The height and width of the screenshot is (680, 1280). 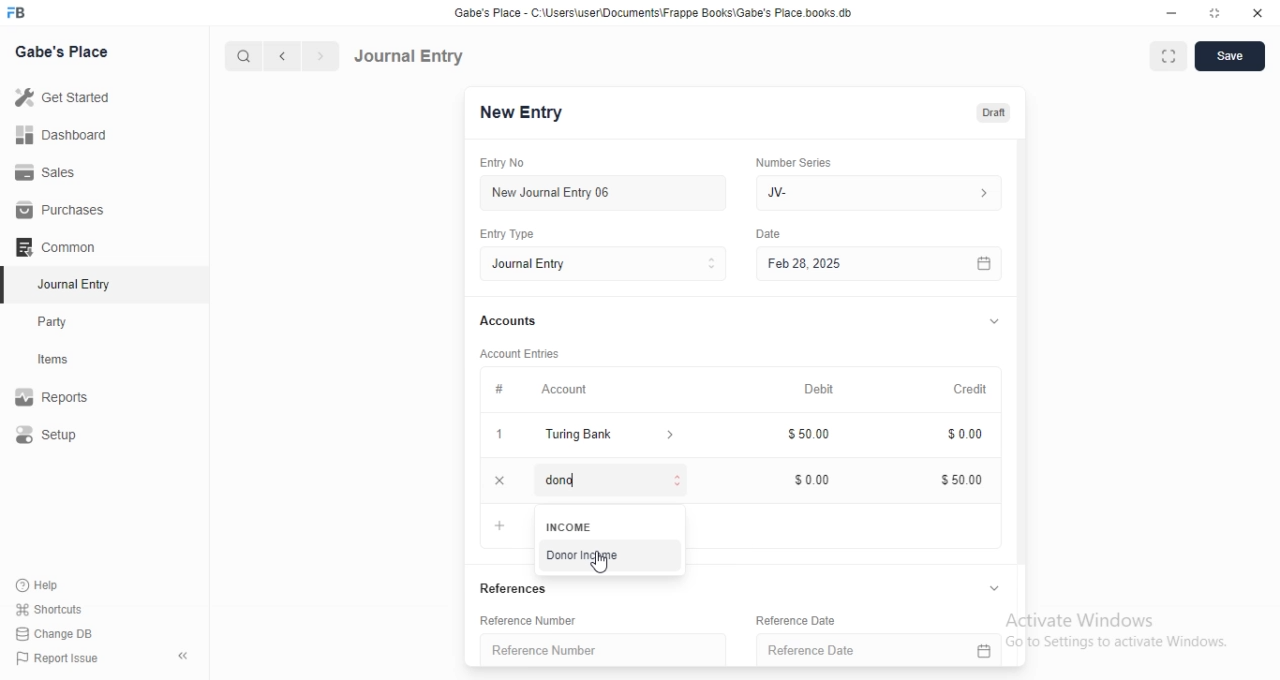 I want to click on JV-, so click(x=878, y=190).